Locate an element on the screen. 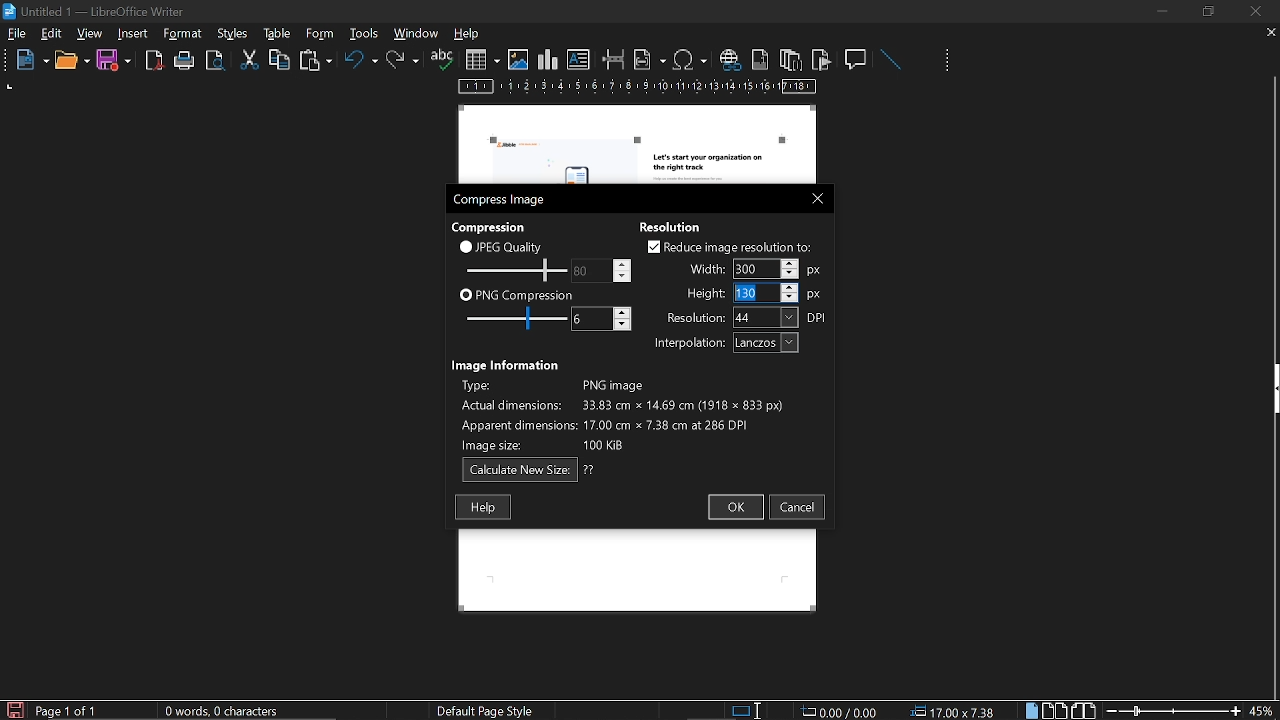  Image information is located at coordinates (508, 363).